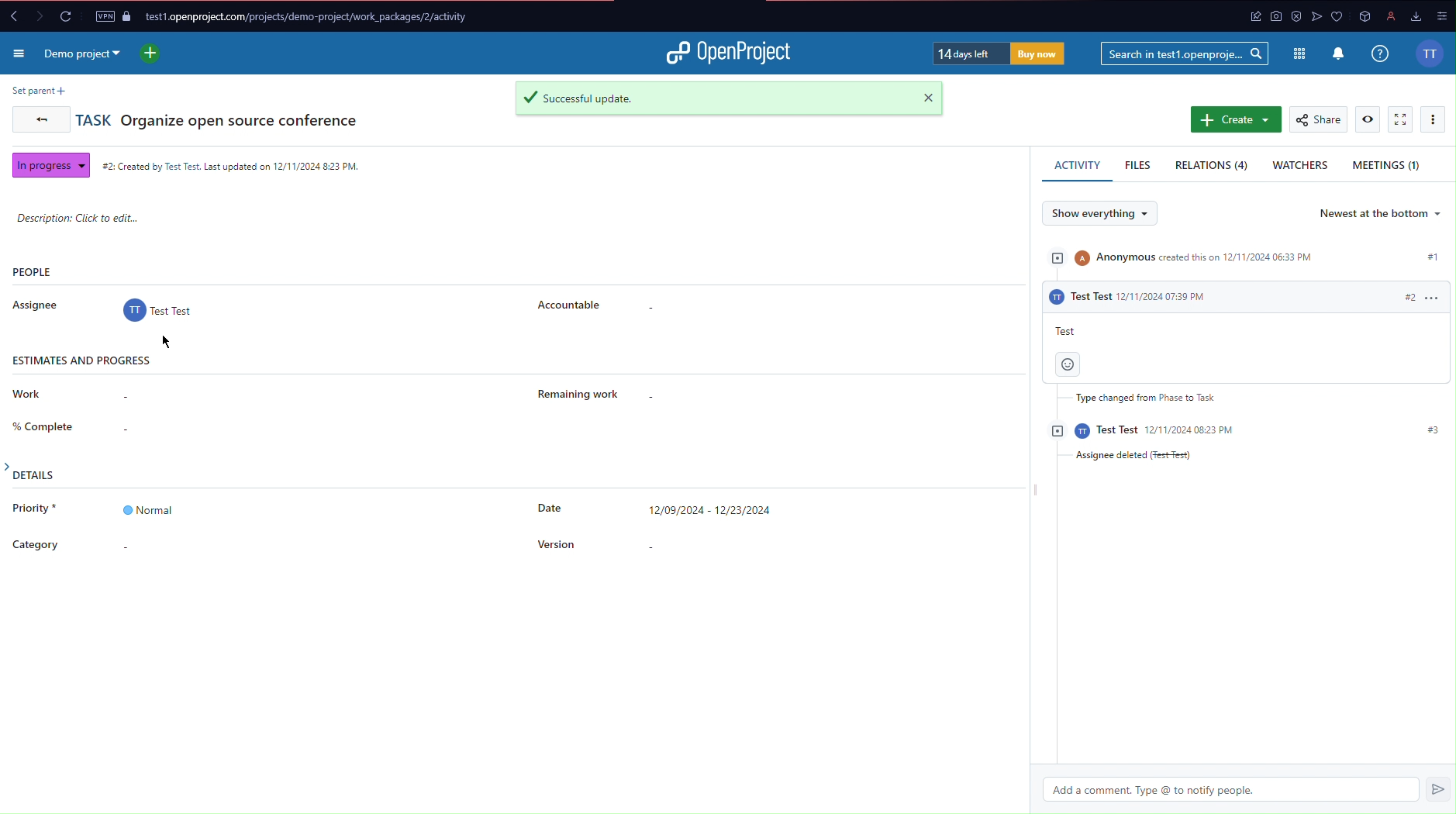 Image resolution: width=1456 pixels, height=814 pixels. I want to click on Category, so click(33, 537).